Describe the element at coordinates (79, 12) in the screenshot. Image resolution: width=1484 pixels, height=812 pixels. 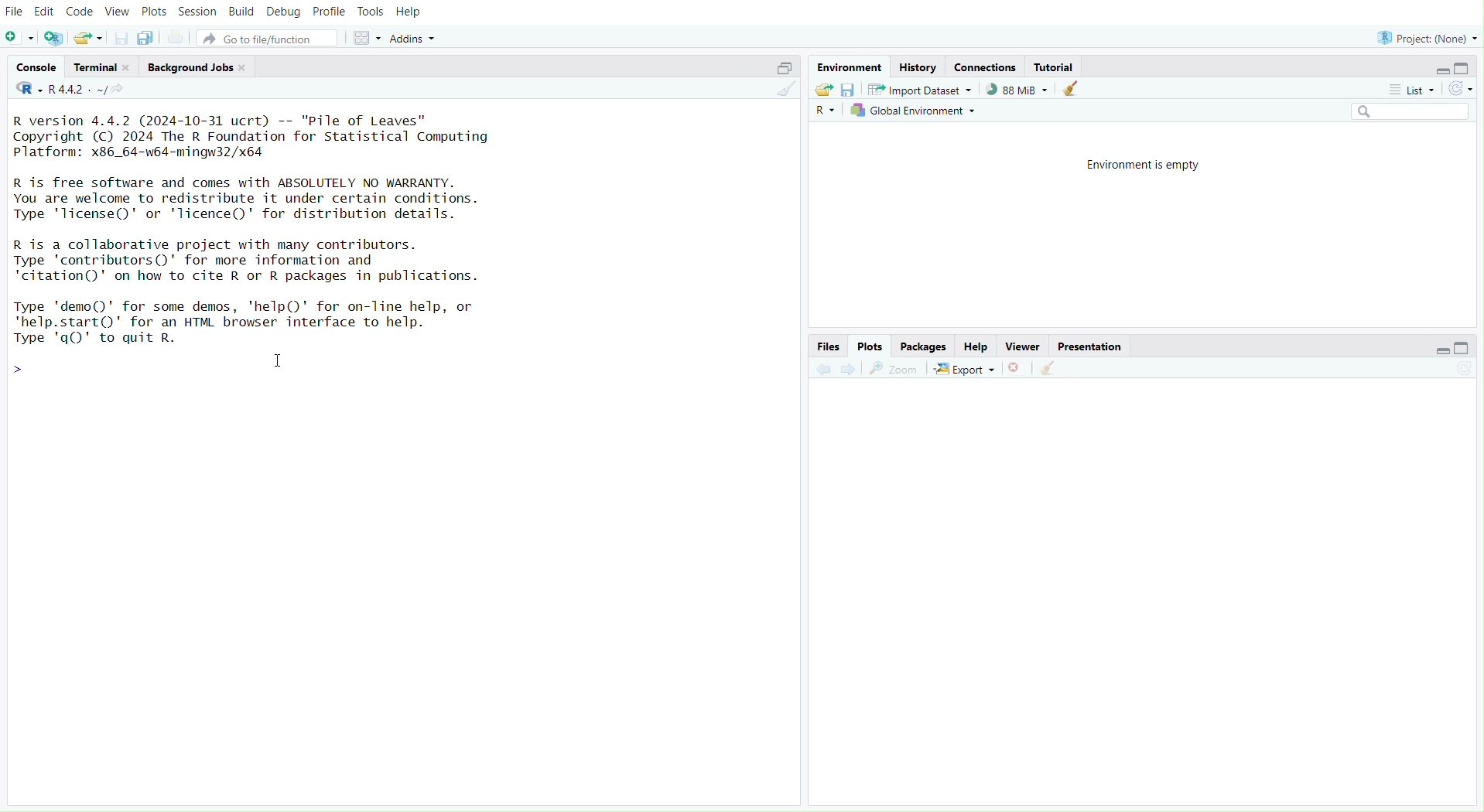
I see `Code` at that location.